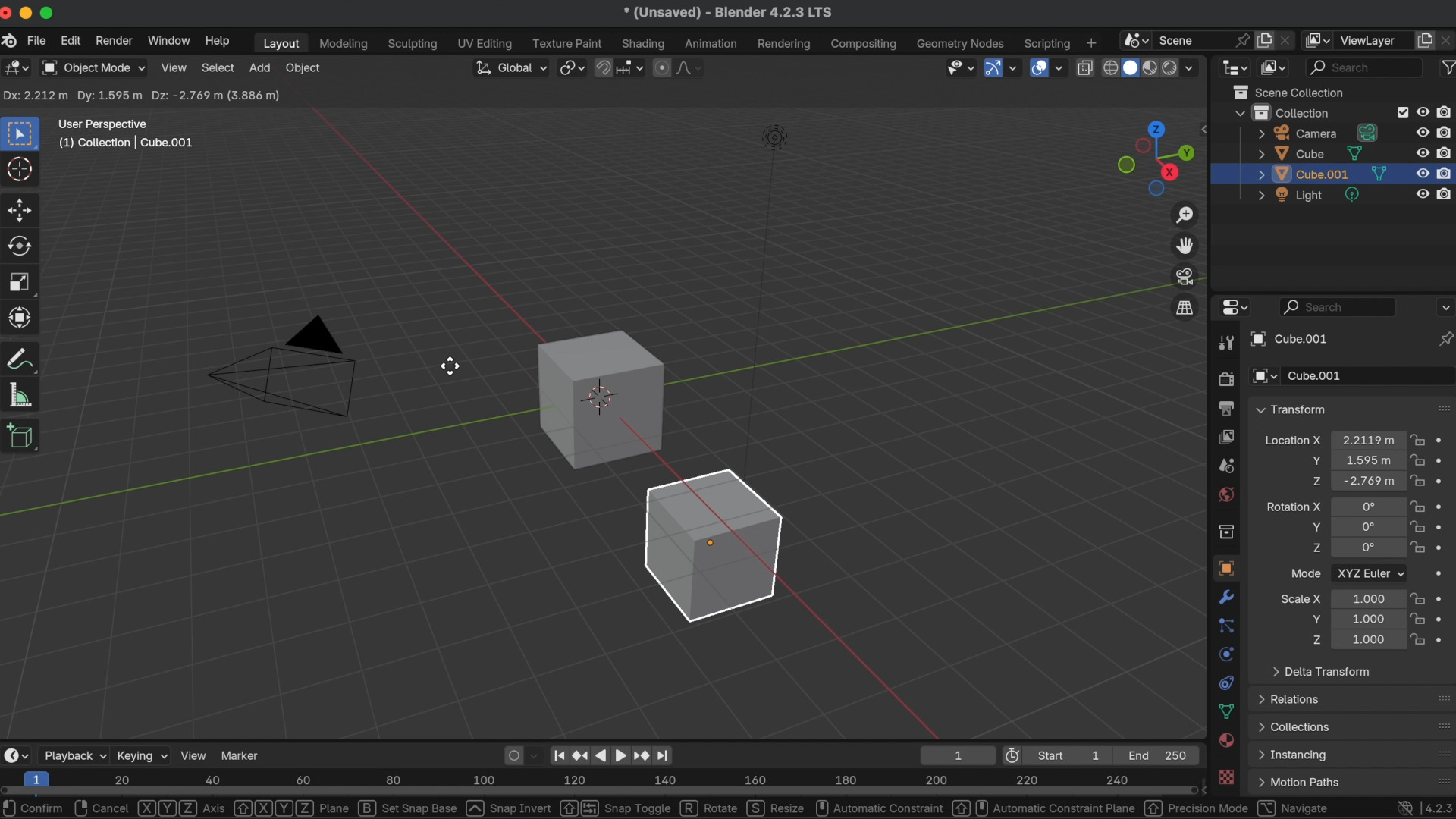 This screenshot has width=1456, height=819. What do you see at coordinates (1227, 626) in the screenshot?
I see `particles` at bounding box center [1227, 626].